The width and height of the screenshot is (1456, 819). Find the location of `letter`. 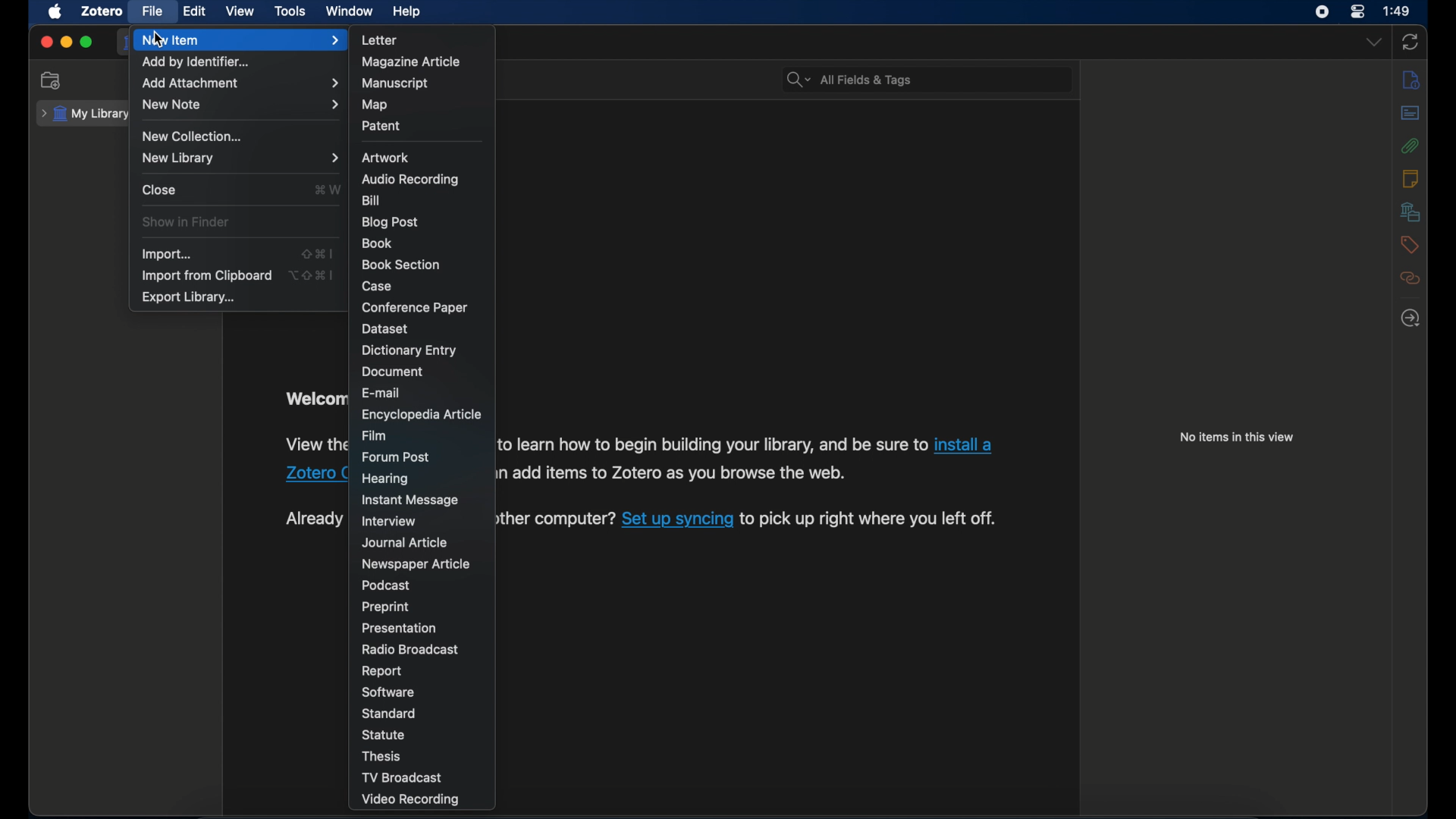

letter is located at coordinates (378, 40).